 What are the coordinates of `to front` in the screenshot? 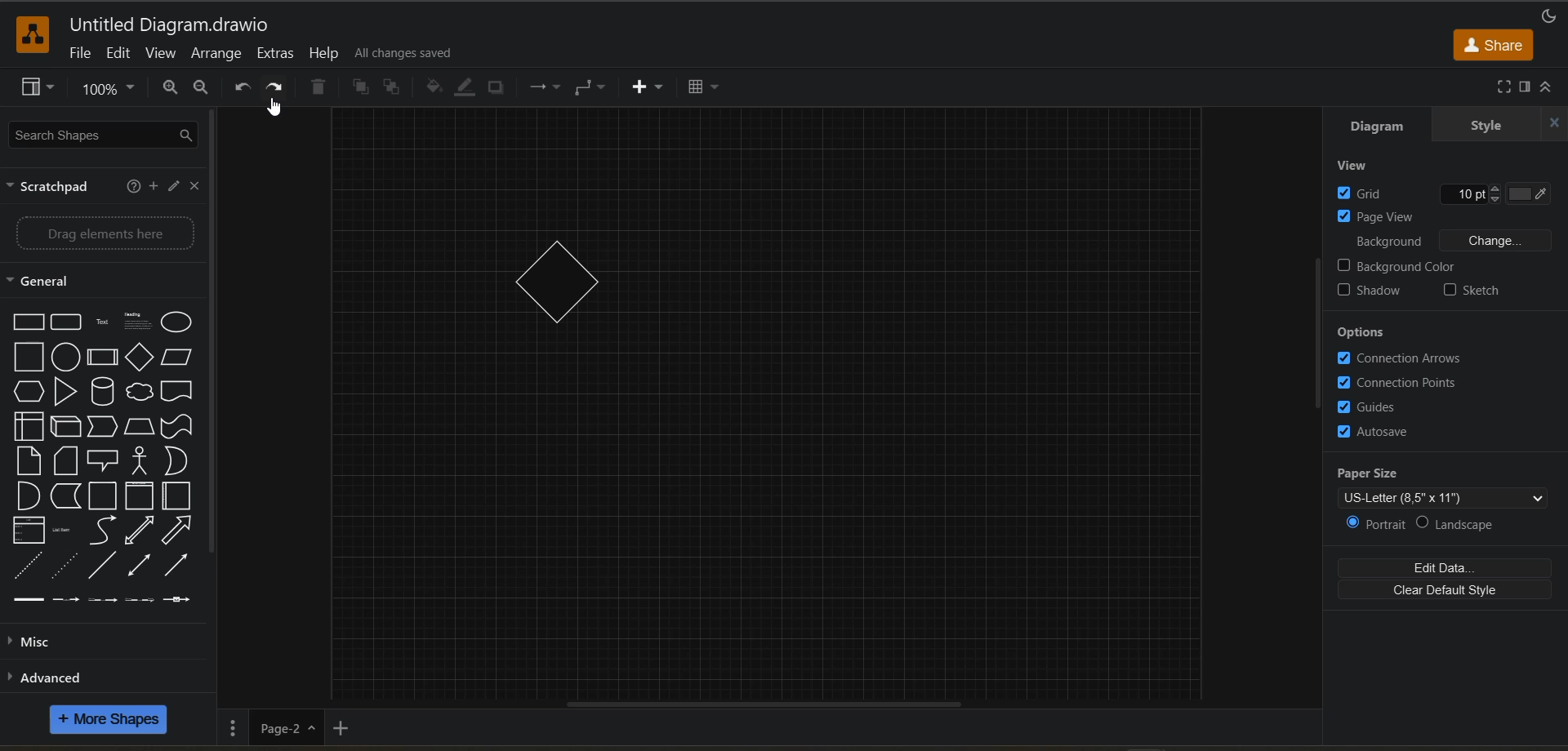 It's located at (361, 87).